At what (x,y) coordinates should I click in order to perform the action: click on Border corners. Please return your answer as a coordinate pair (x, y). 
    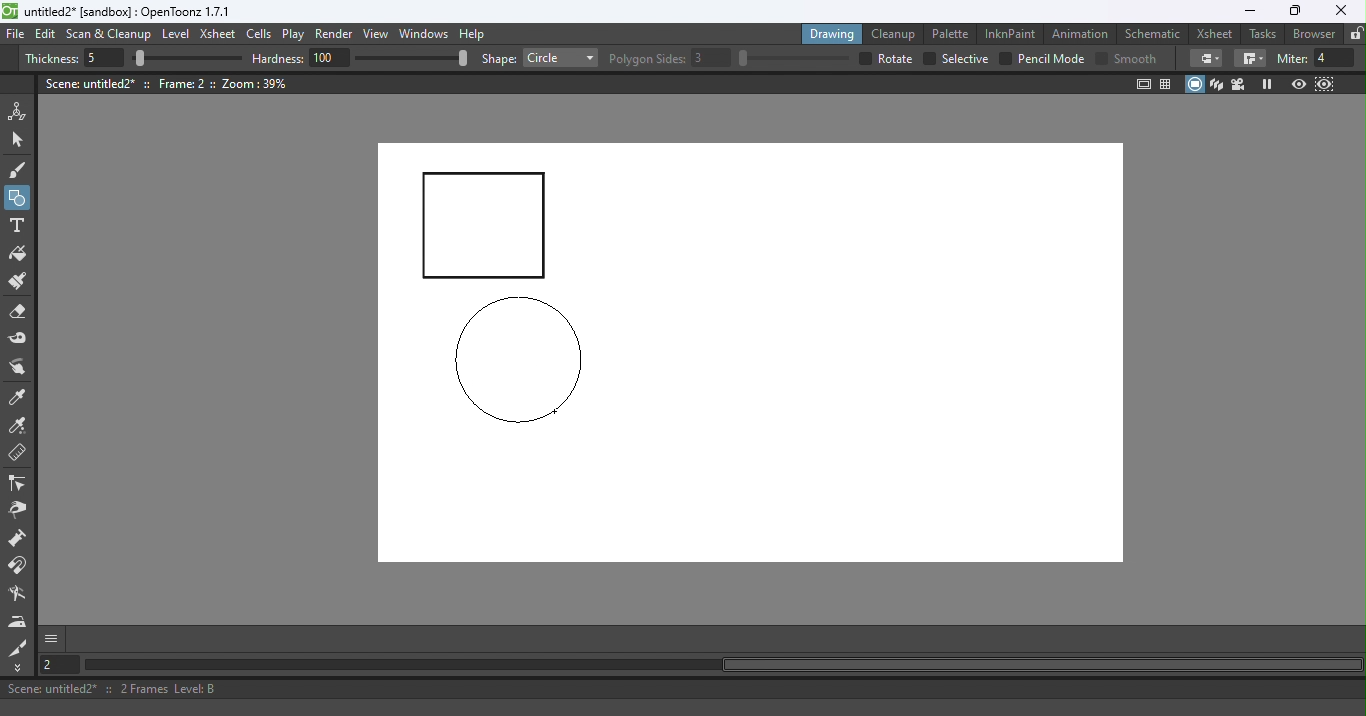
    Looking at the image, I should click on (1206, 58).